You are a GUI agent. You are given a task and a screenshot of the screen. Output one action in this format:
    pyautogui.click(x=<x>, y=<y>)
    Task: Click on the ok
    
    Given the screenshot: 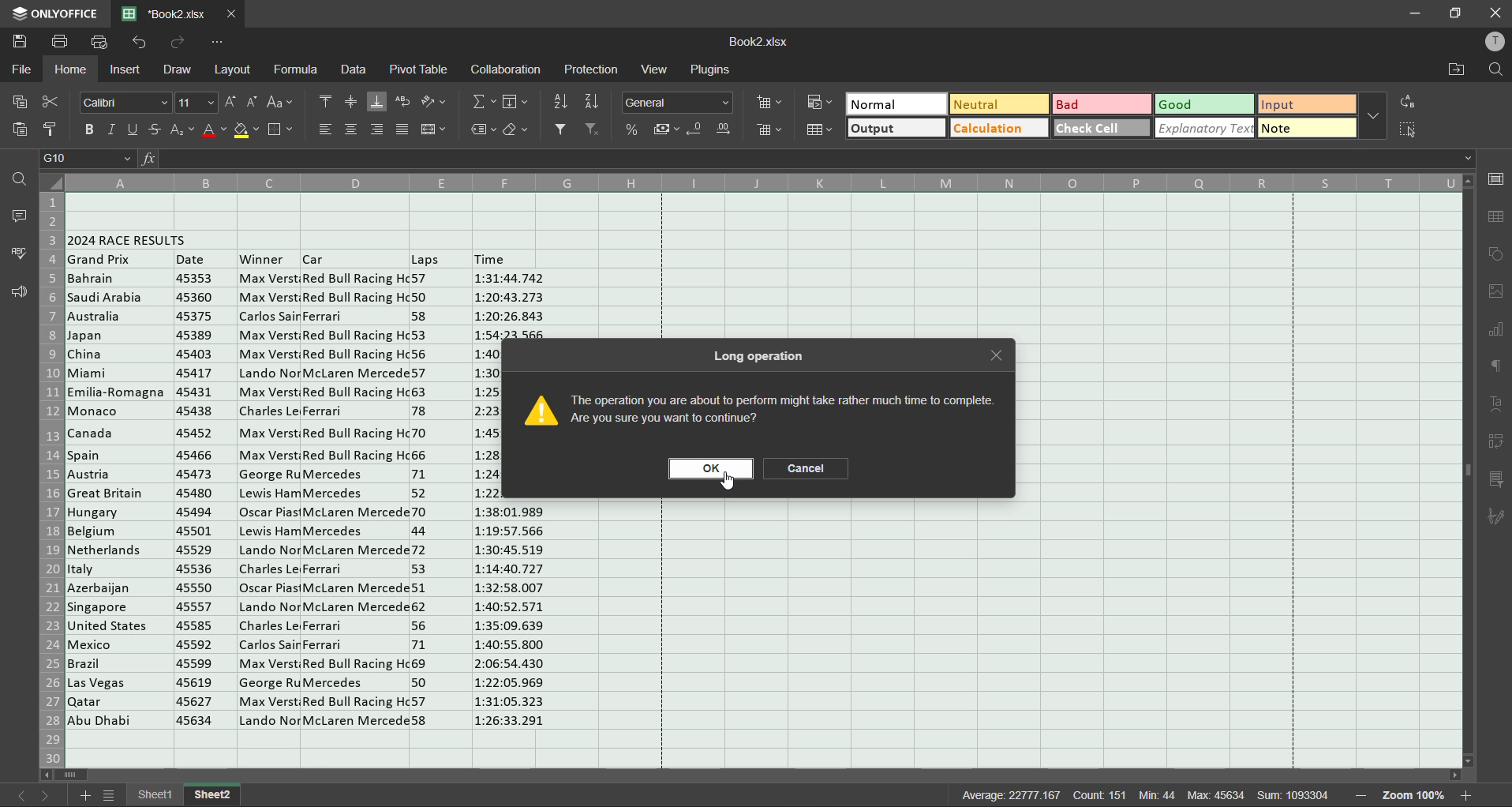 What is the action you would take?
    pyautogui.click(x=713, y=467)
    